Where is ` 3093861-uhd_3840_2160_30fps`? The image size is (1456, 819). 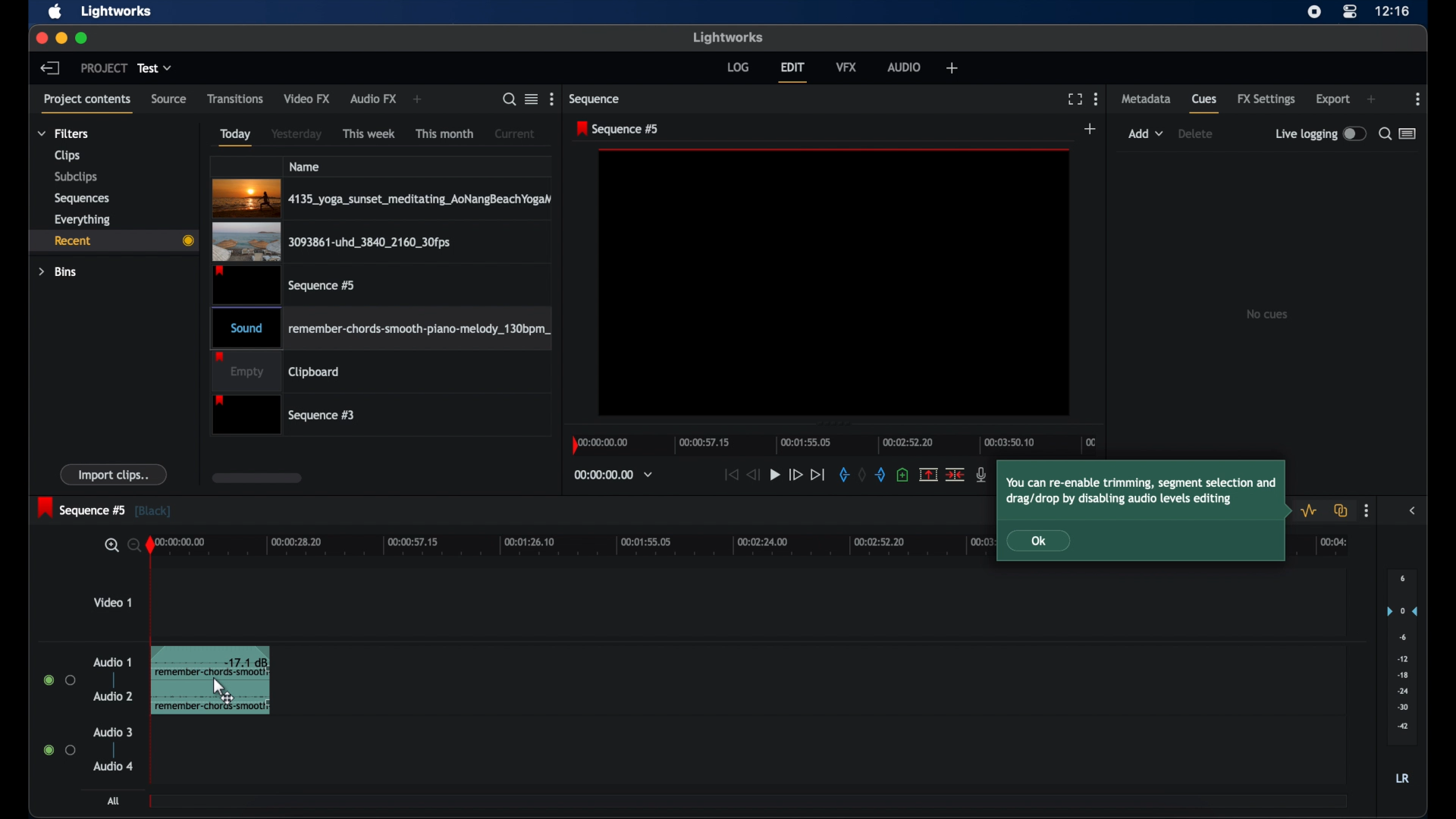  3093861-uhd_3840_2160_30fps is located at coordinates (331, 241).